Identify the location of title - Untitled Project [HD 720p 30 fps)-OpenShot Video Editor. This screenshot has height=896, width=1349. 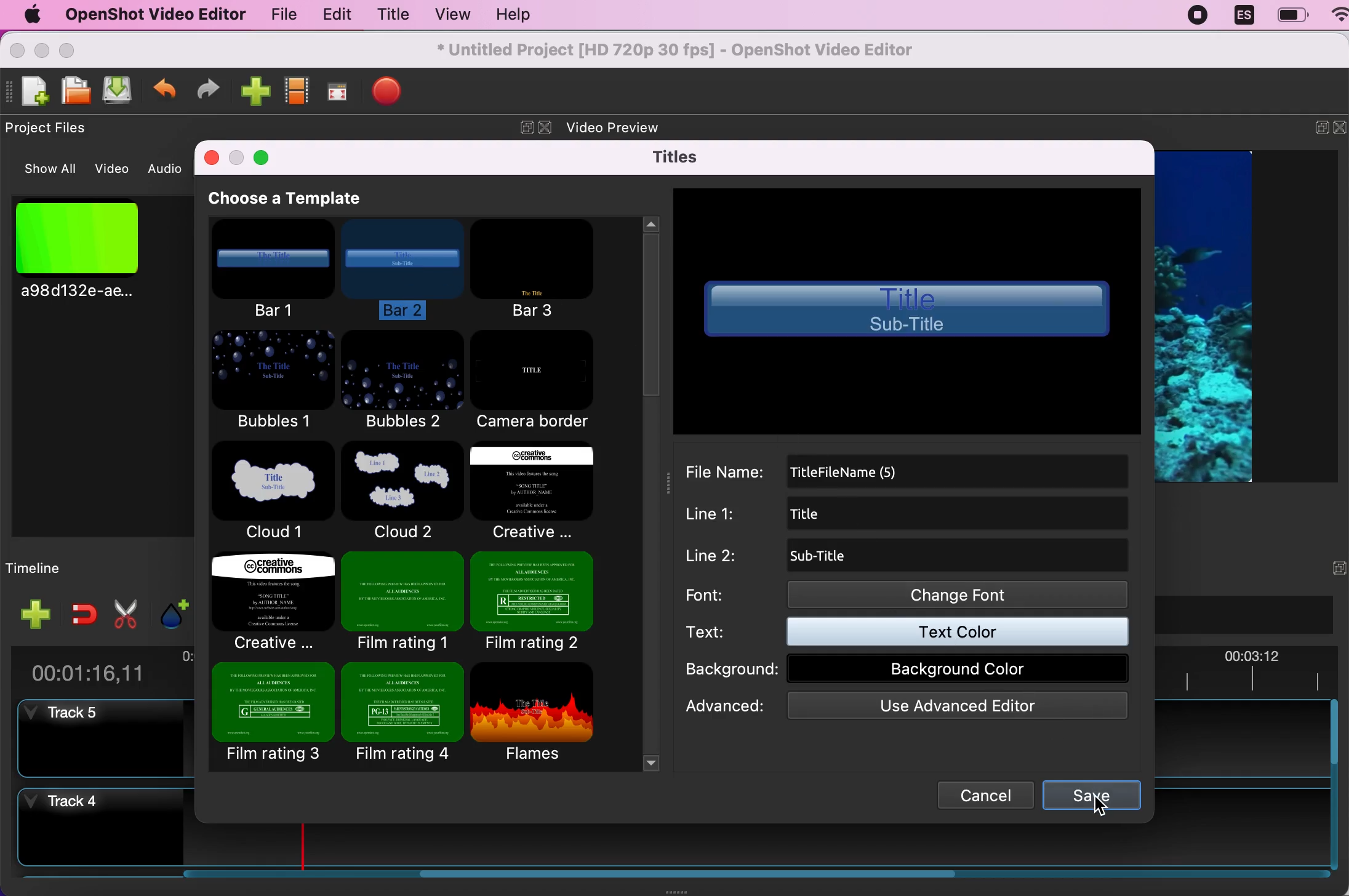
(677, 51).